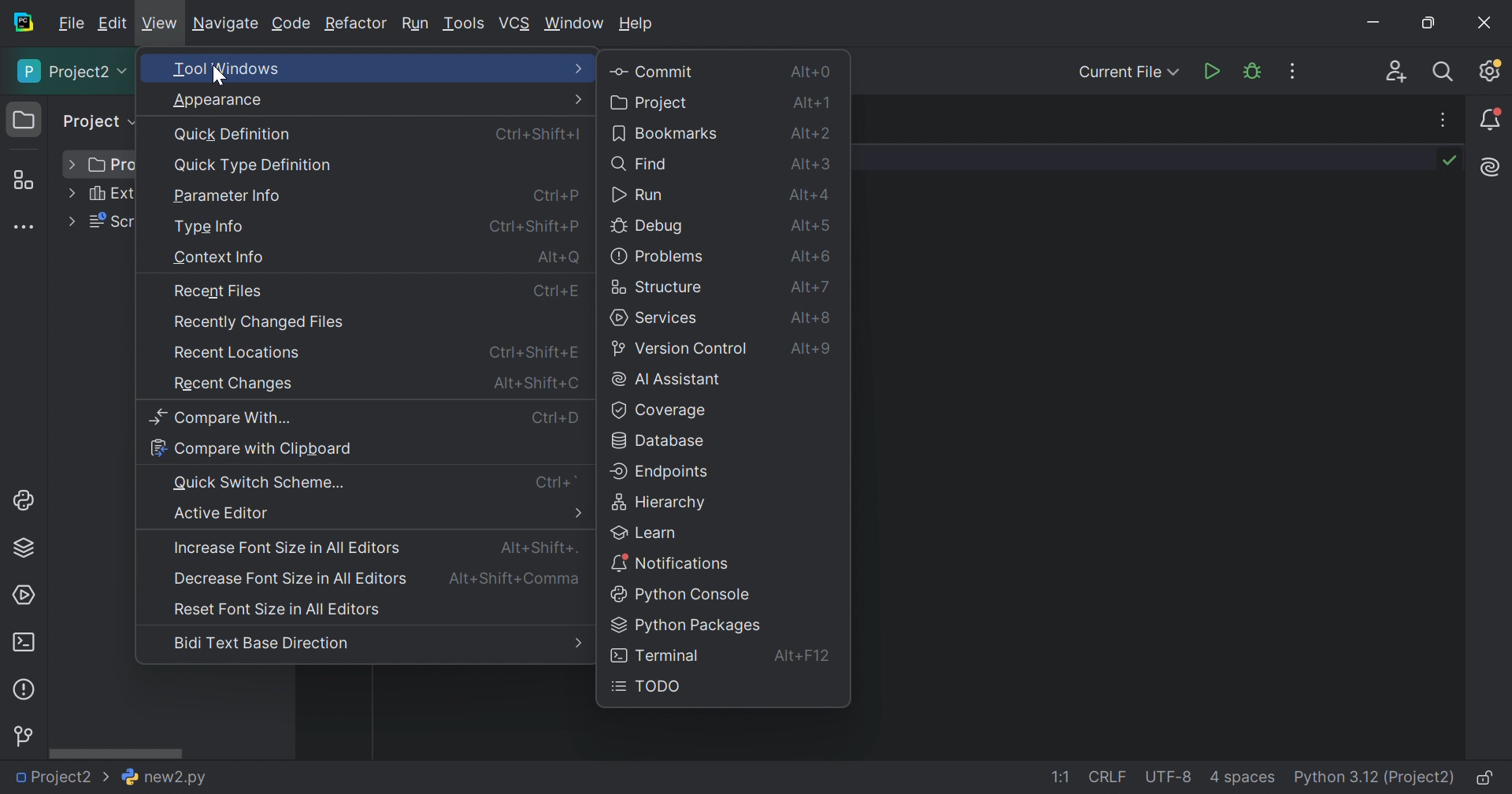 This screenshot has width=1512, height=794. What do you see at coordinates (292, 24) in the screenshot?
I see `Code` at bounding box center [292, 24].